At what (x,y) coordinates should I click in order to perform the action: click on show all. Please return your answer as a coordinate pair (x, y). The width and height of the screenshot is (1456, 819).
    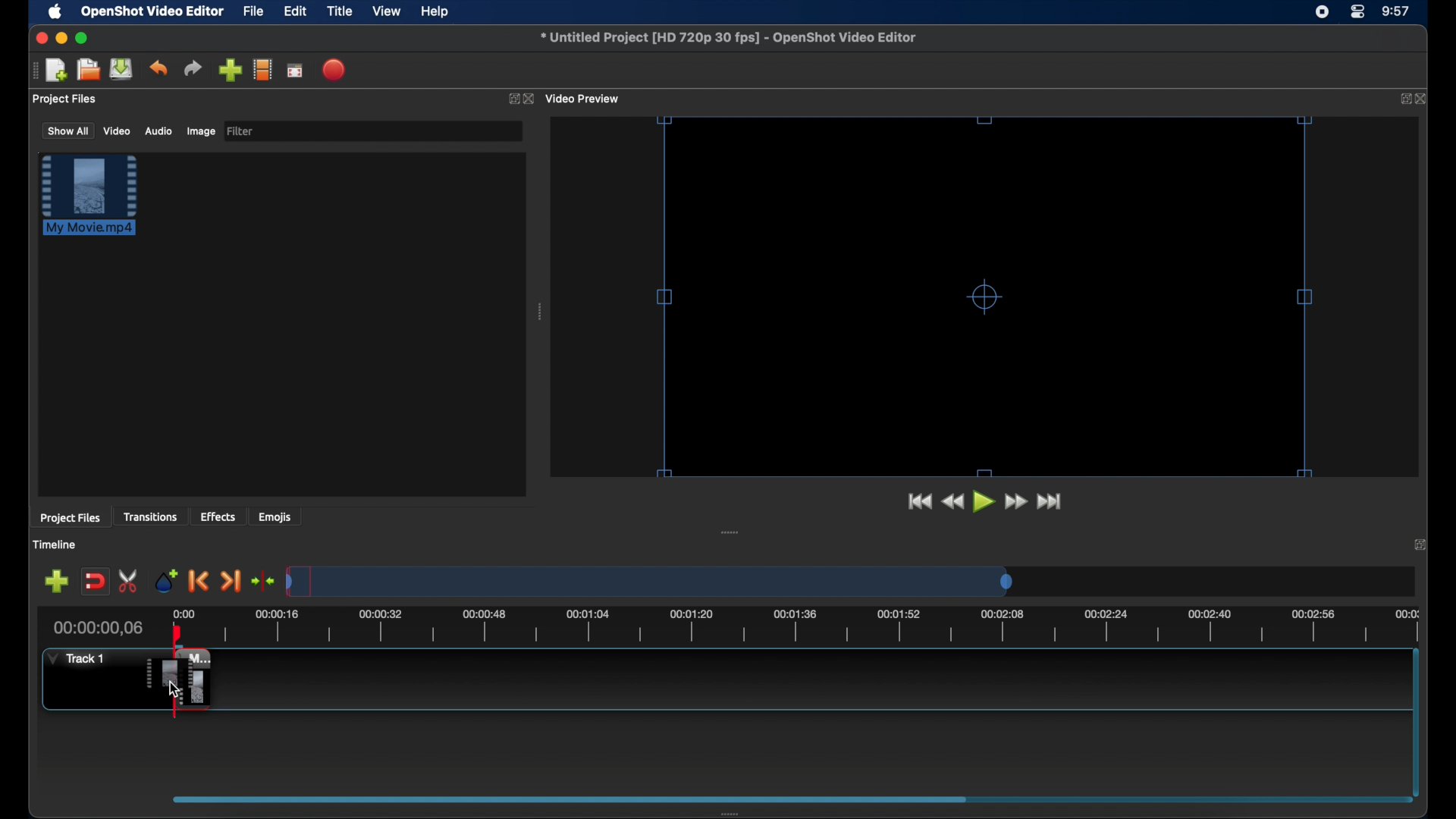
    Looking at the image, I should click on (67, 130).